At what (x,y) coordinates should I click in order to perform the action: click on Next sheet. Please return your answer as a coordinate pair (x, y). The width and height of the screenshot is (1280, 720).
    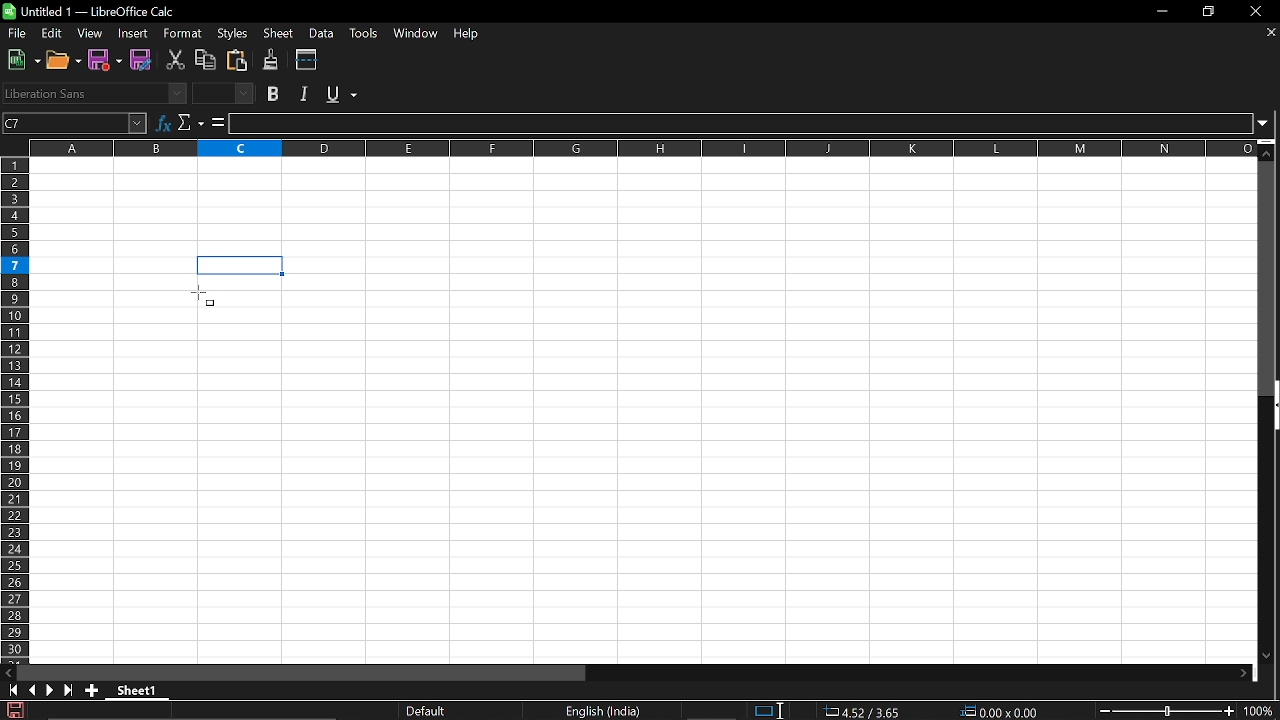
    Looking at the image, I should click on (50, 690).